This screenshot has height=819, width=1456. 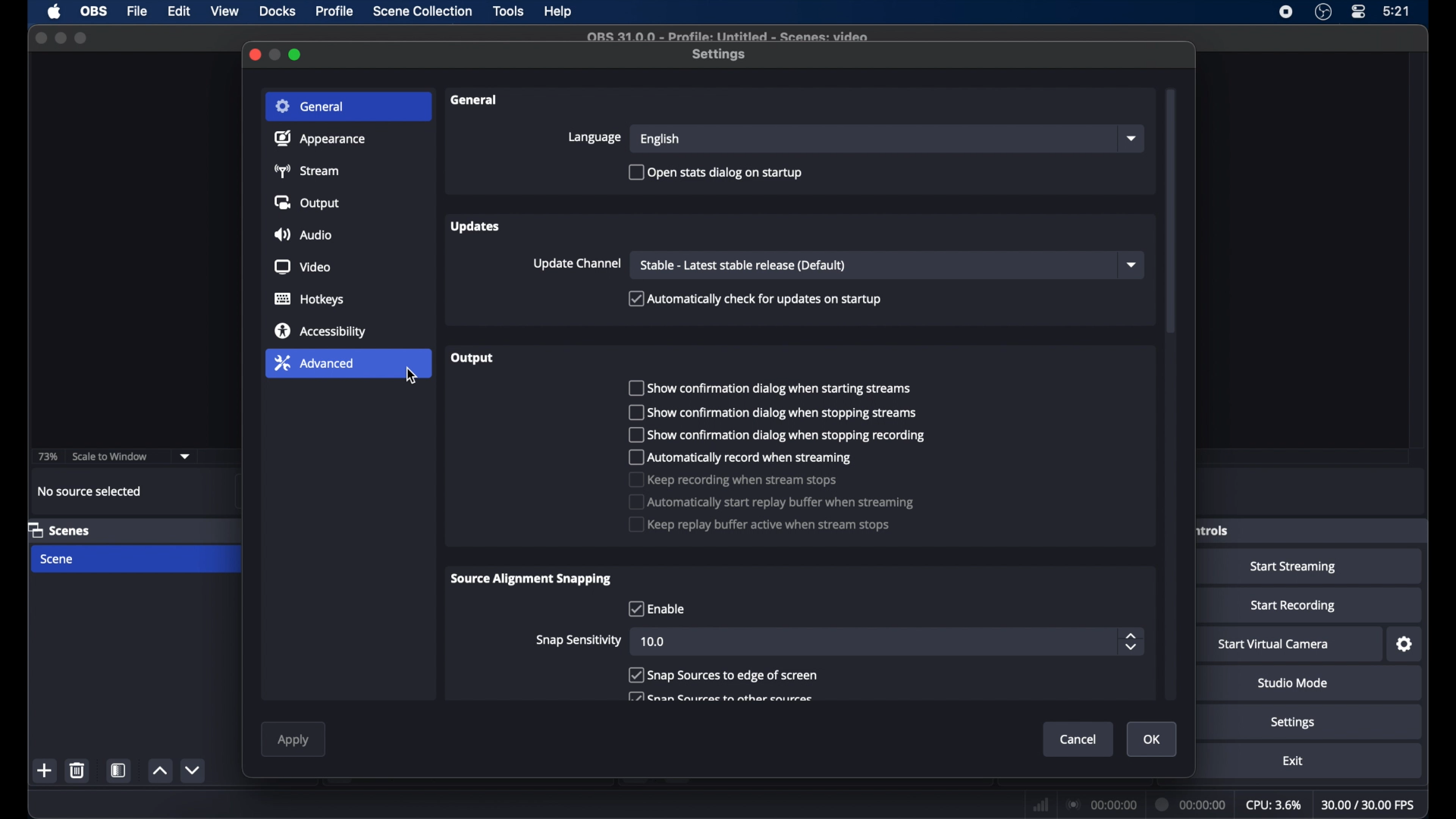 I want to click on scene filters, so click(x=119, y=771).